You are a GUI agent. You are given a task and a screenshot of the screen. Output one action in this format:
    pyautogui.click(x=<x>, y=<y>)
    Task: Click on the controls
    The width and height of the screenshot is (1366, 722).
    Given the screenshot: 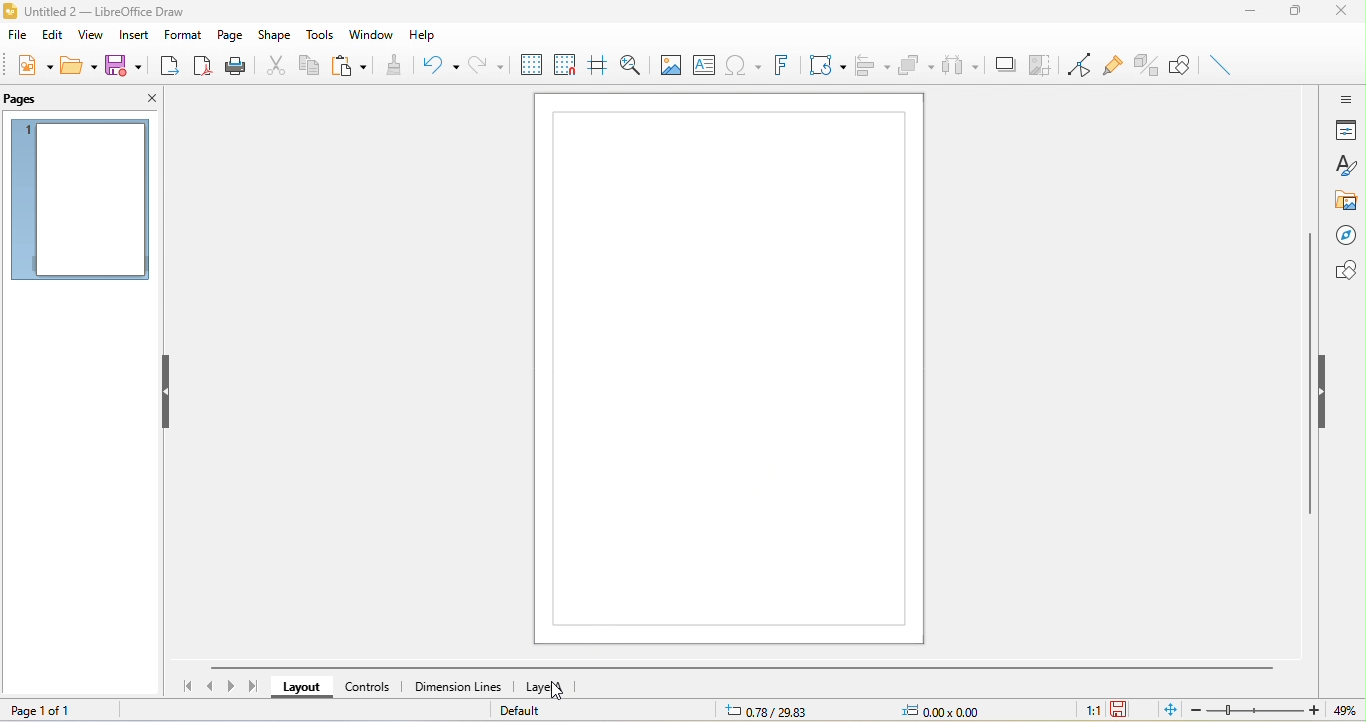 What is the action you would take?
    pyautogui.click(x=374, y=687)
    